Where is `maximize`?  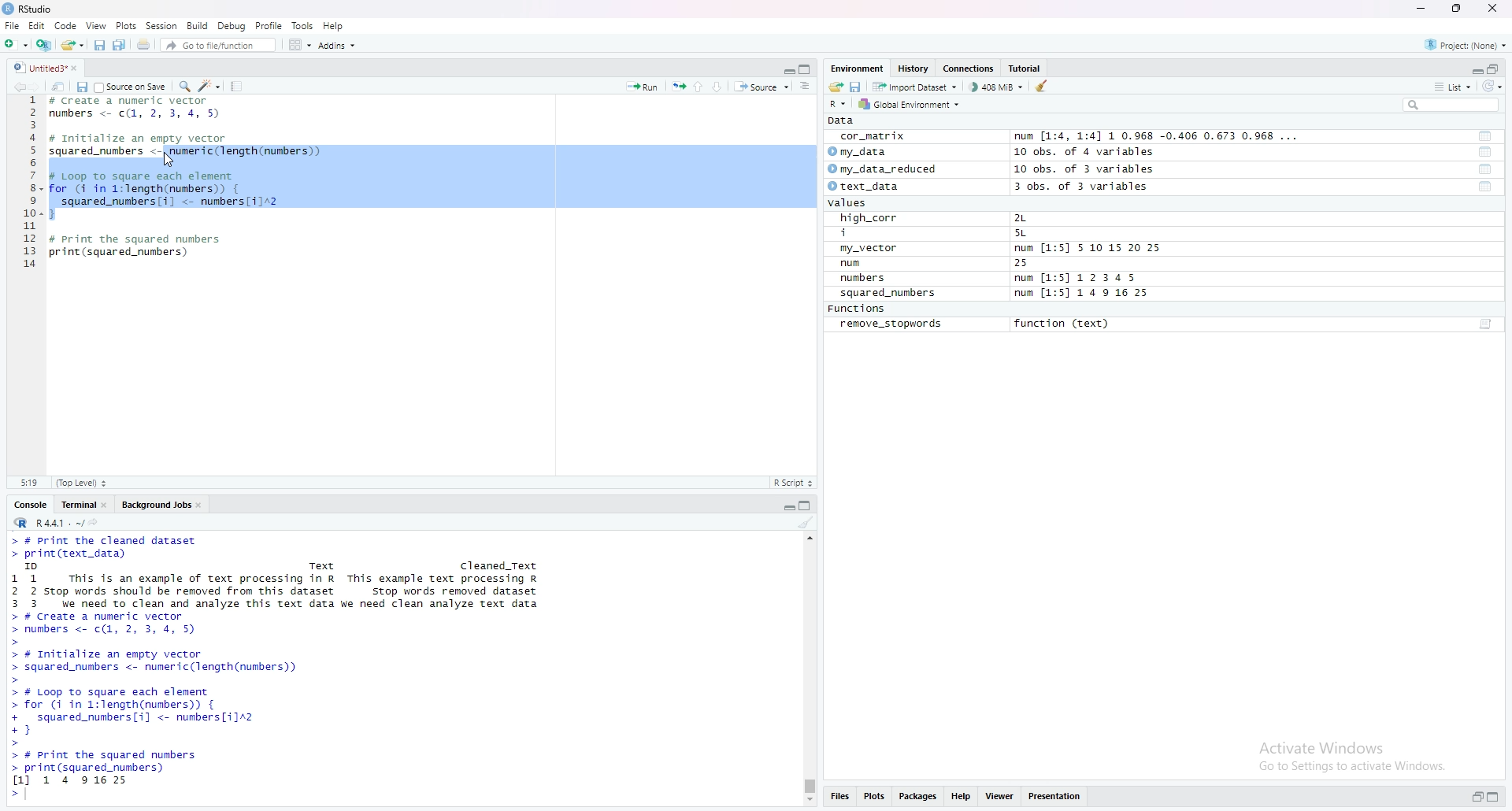
maximize is located at coordinates (808, 504).